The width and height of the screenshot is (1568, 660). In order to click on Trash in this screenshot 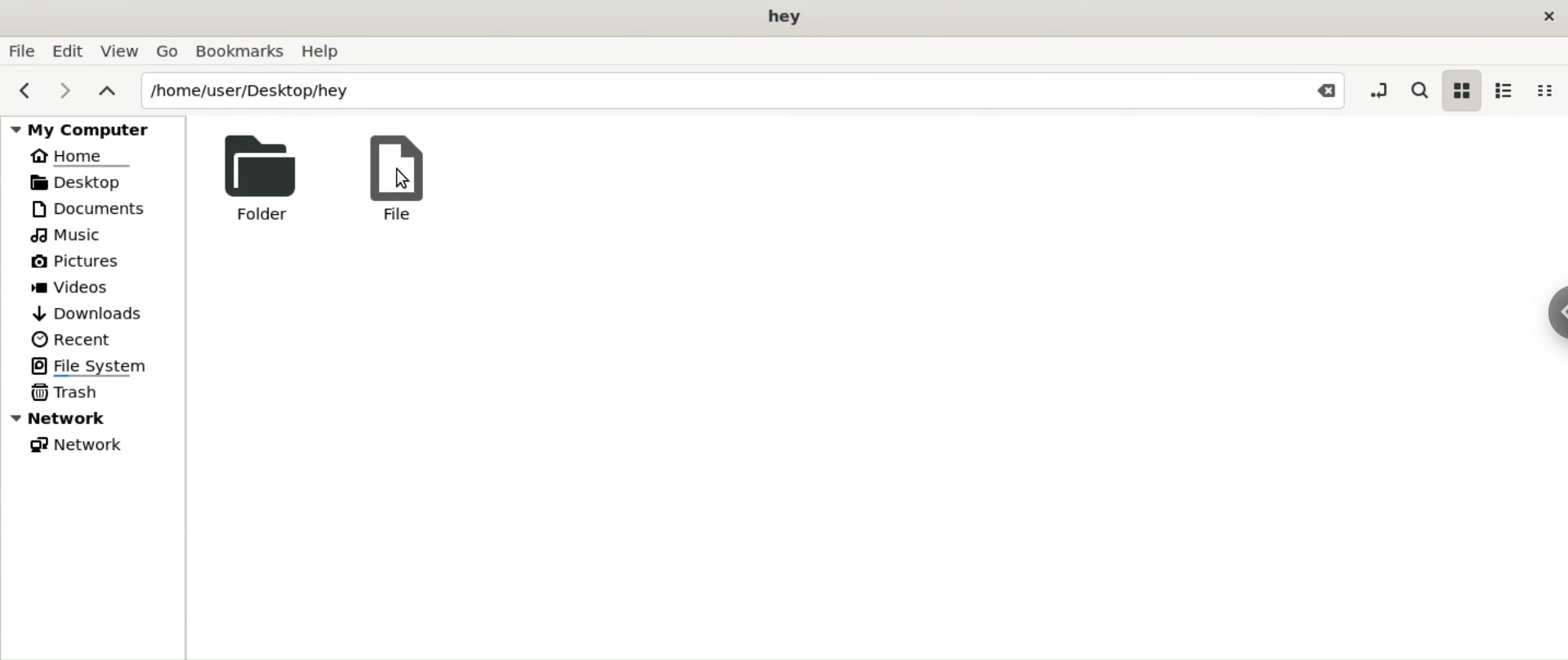, I will do `click(67, 392)`.